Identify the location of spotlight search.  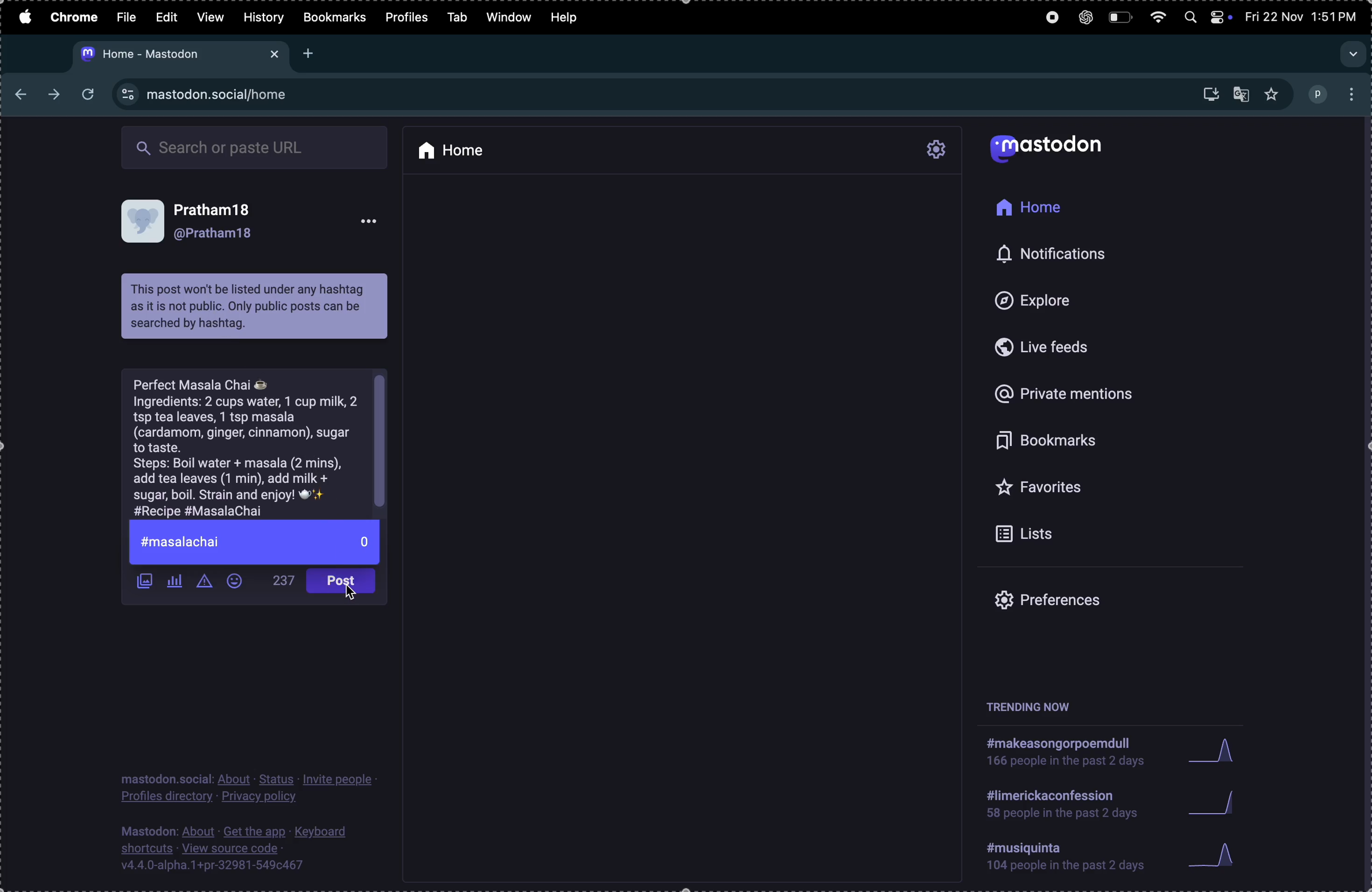
(1190, 18).